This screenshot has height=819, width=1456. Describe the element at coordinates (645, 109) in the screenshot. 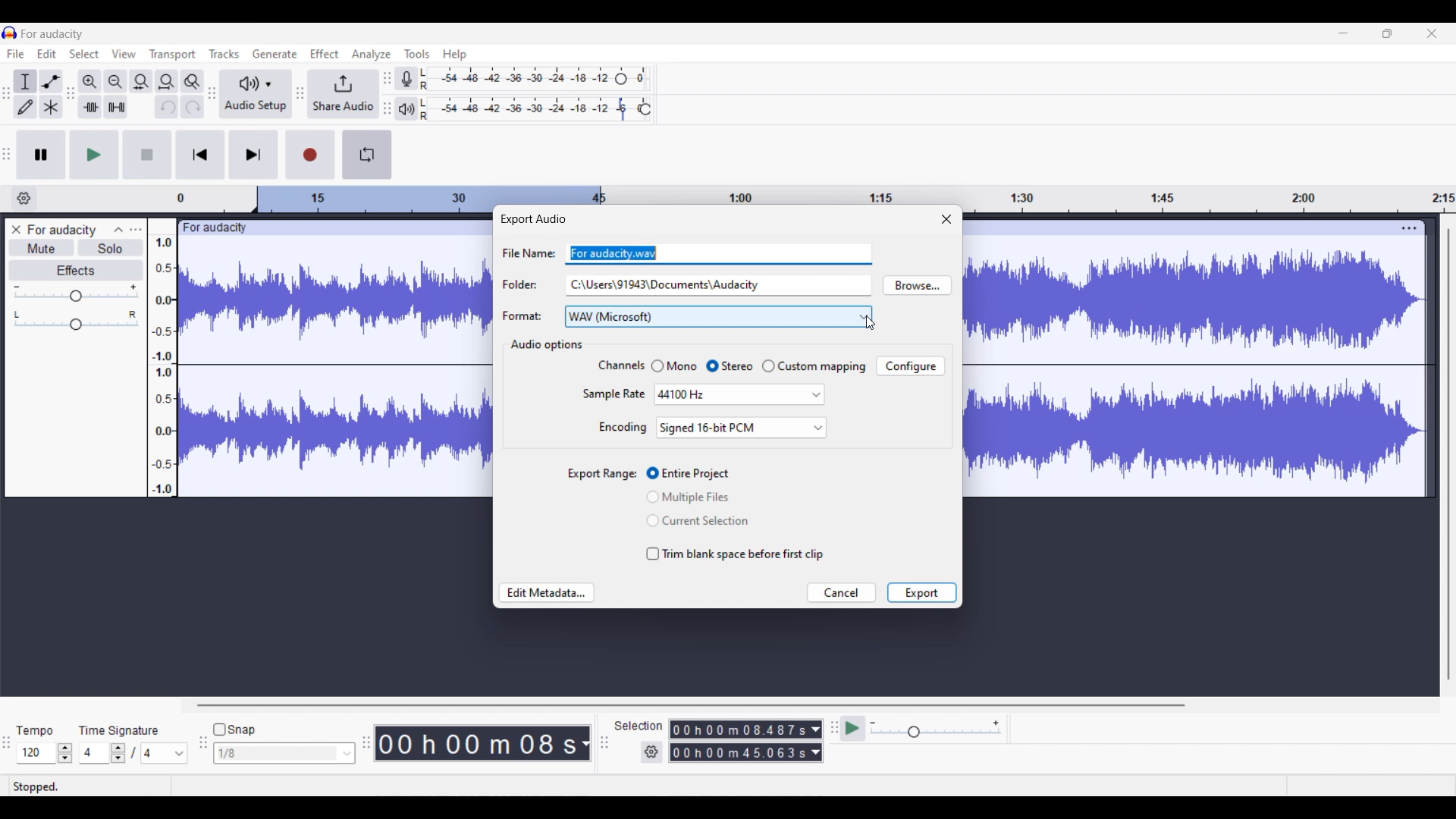

I see `Header to change playback speed` at that location.